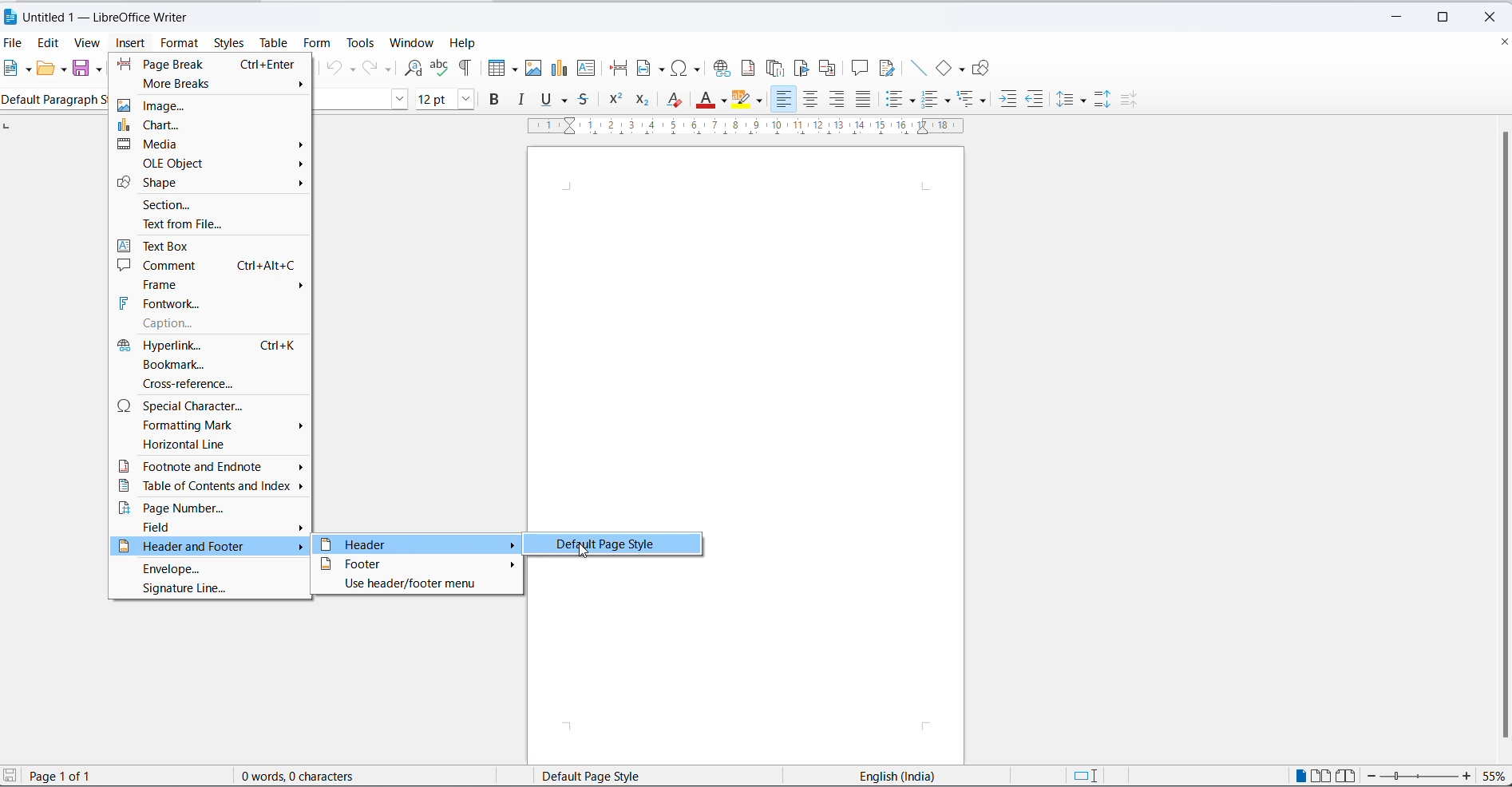 This screenshot has width=1512, height=787. What do you see at coordinates (881, 775) in the screenshot?
I see `English(India)` at bounding box center [881, 775].